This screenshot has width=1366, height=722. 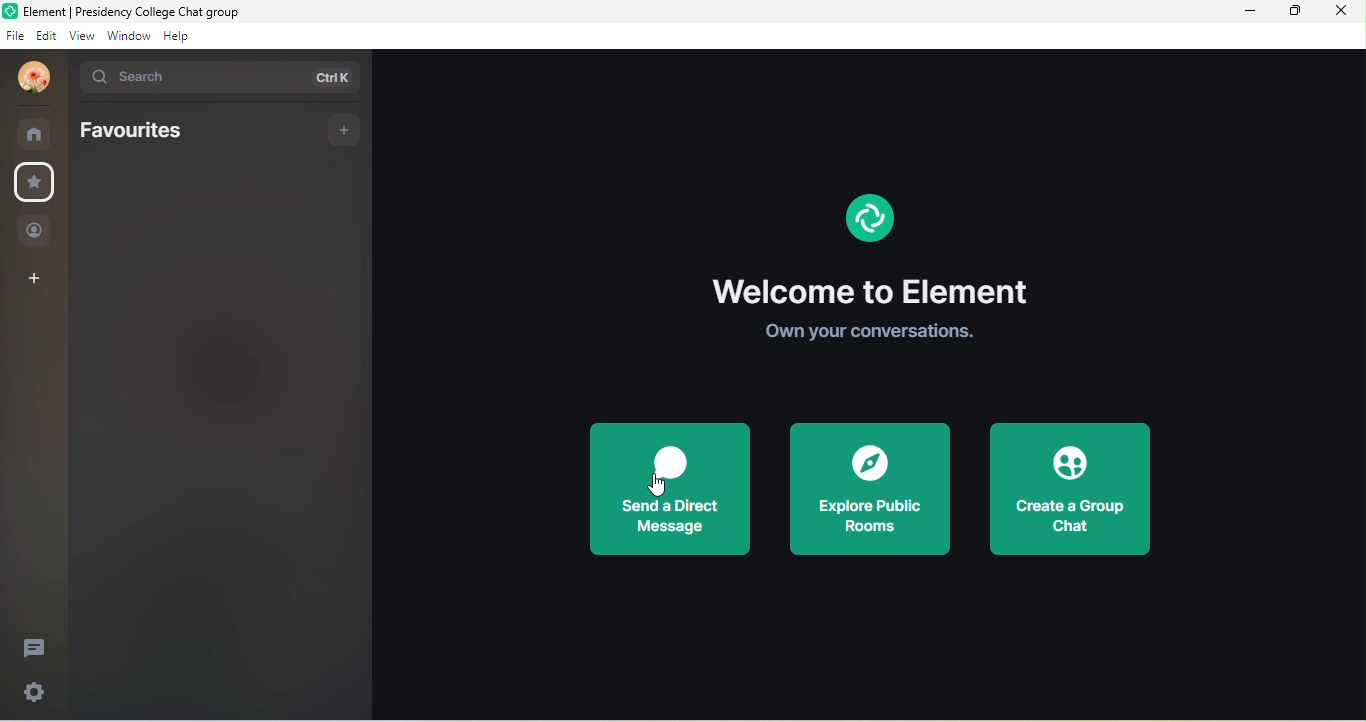 What do you see at coordinates (870, 313) in the screenshot?
I see `welcome to element. own your conversations` at bounding box center [870, 313].